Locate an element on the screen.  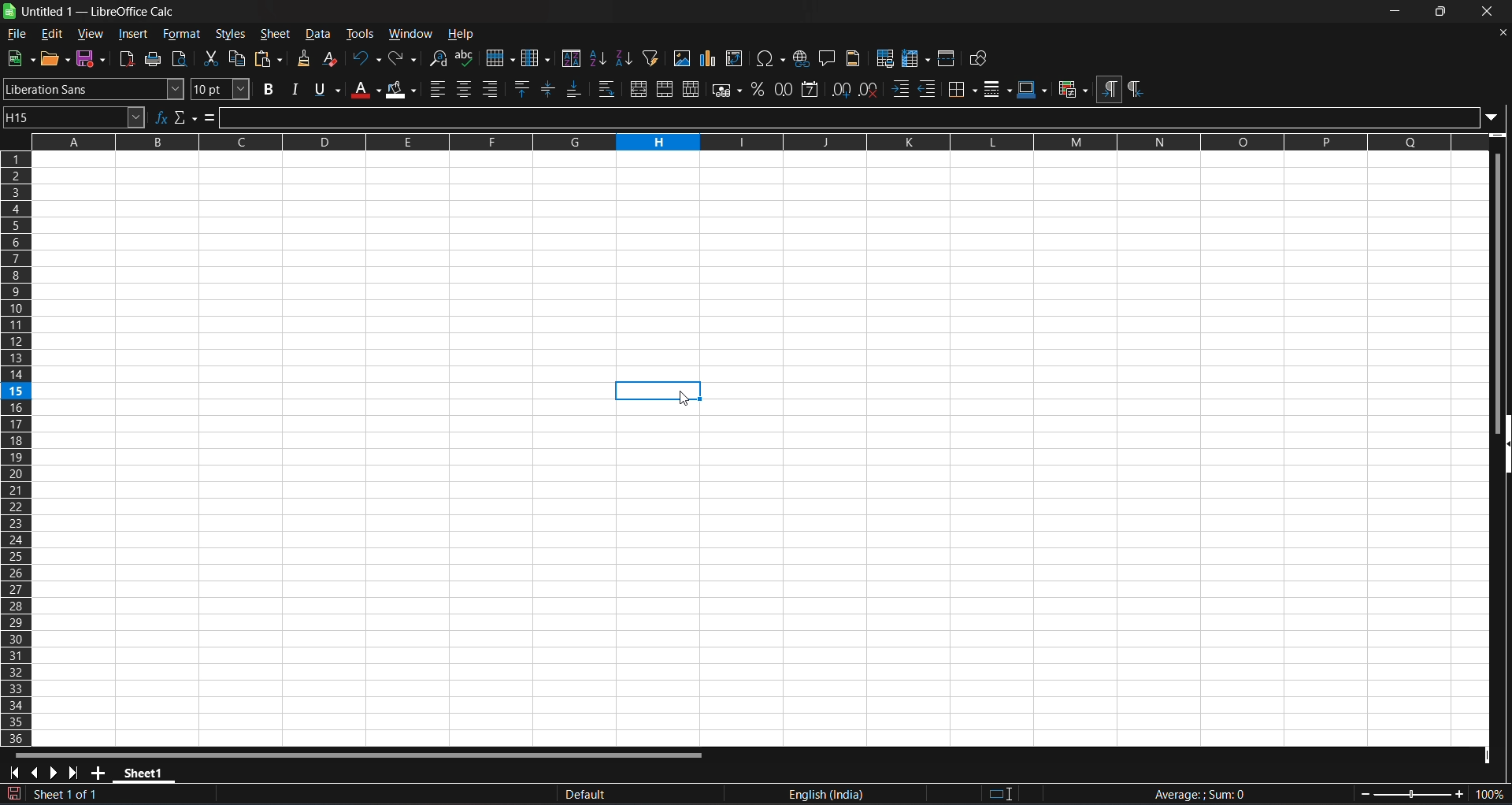
data is located at coordinates (320, 35).